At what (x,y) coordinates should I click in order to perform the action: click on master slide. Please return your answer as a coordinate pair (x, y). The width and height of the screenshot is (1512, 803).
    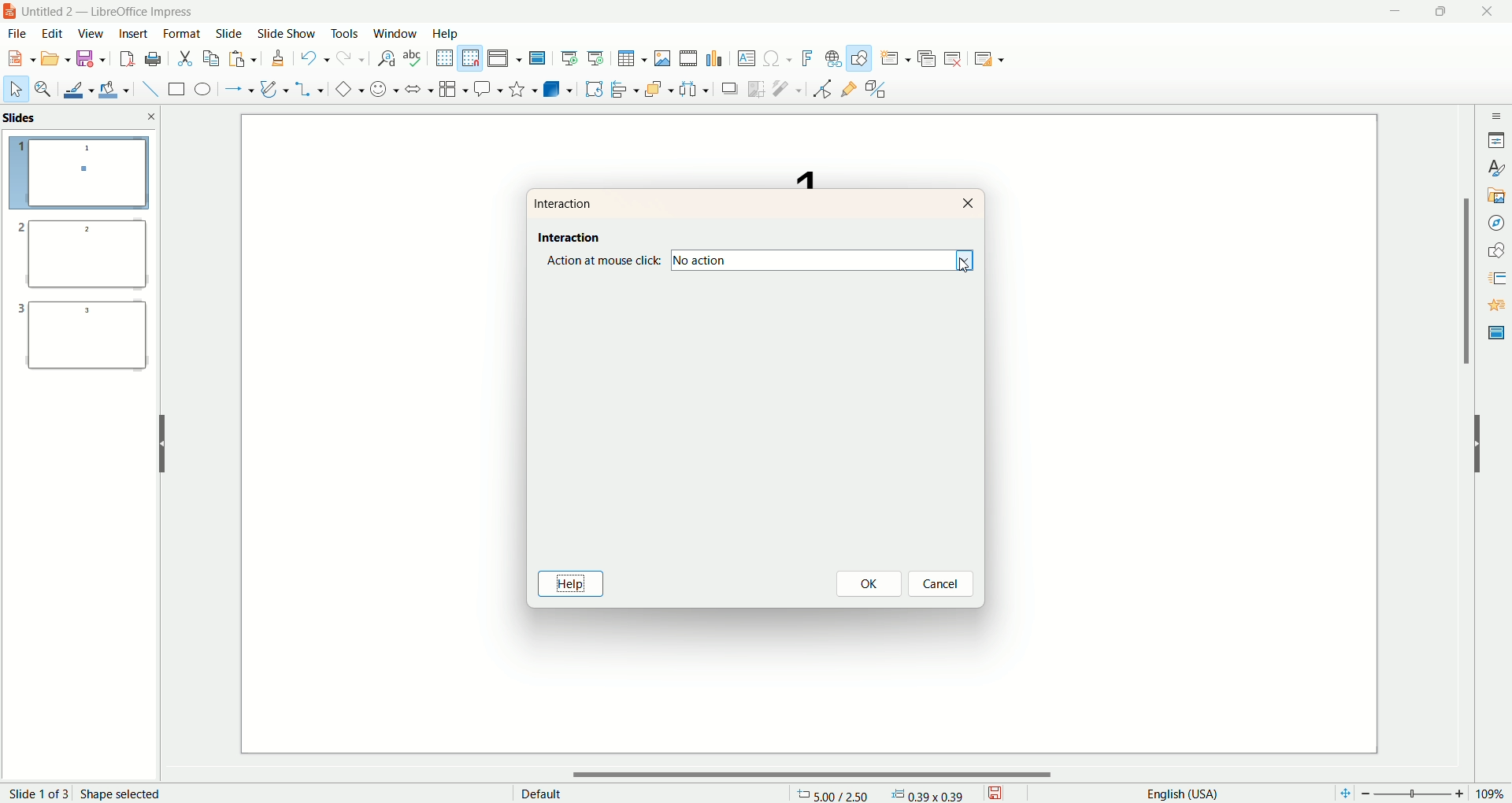
    Looking at the image, I should click on (1494, 333).